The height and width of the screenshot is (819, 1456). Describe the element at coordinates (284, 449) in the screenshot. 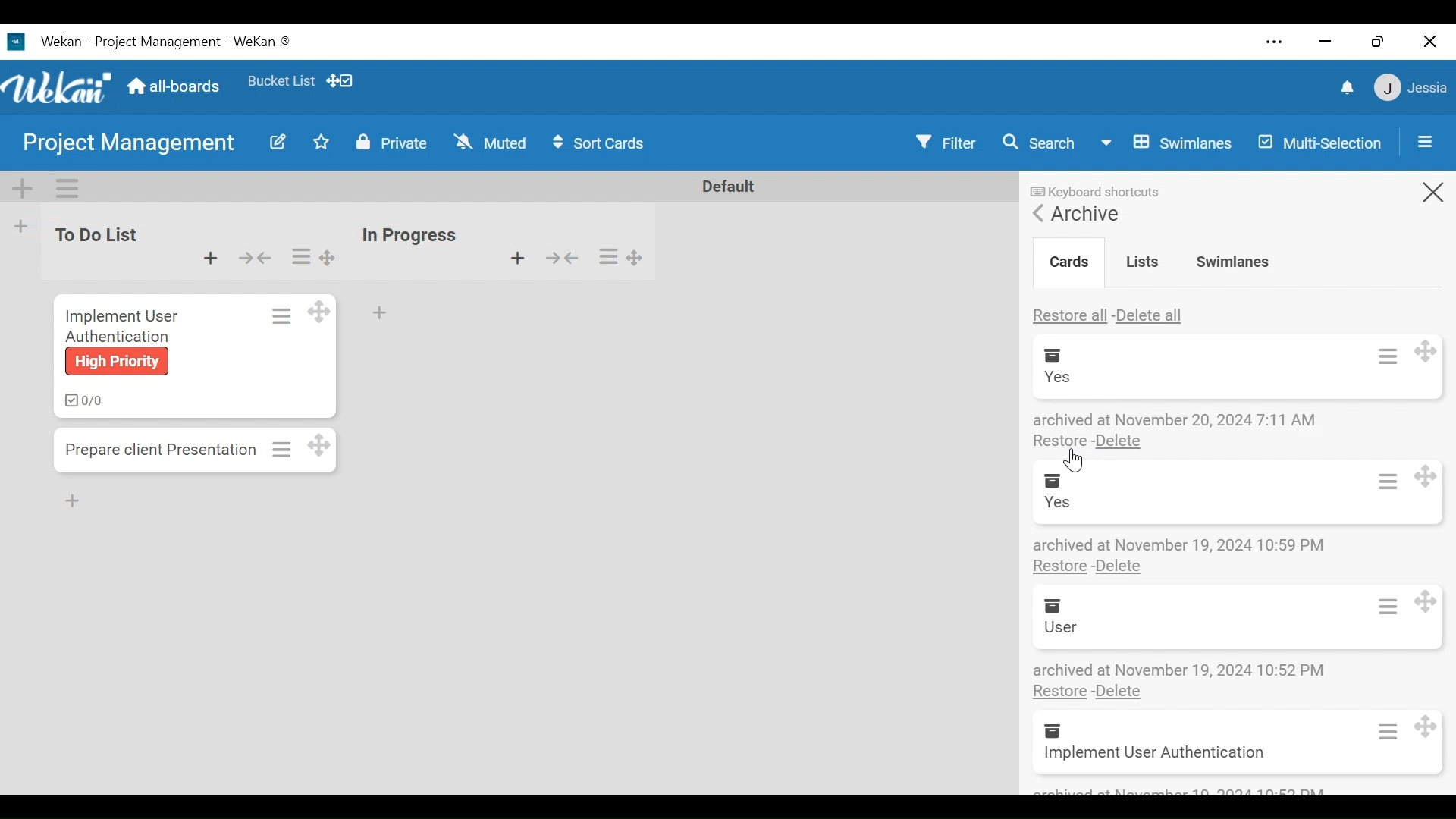

I see `Card actions` at that location.